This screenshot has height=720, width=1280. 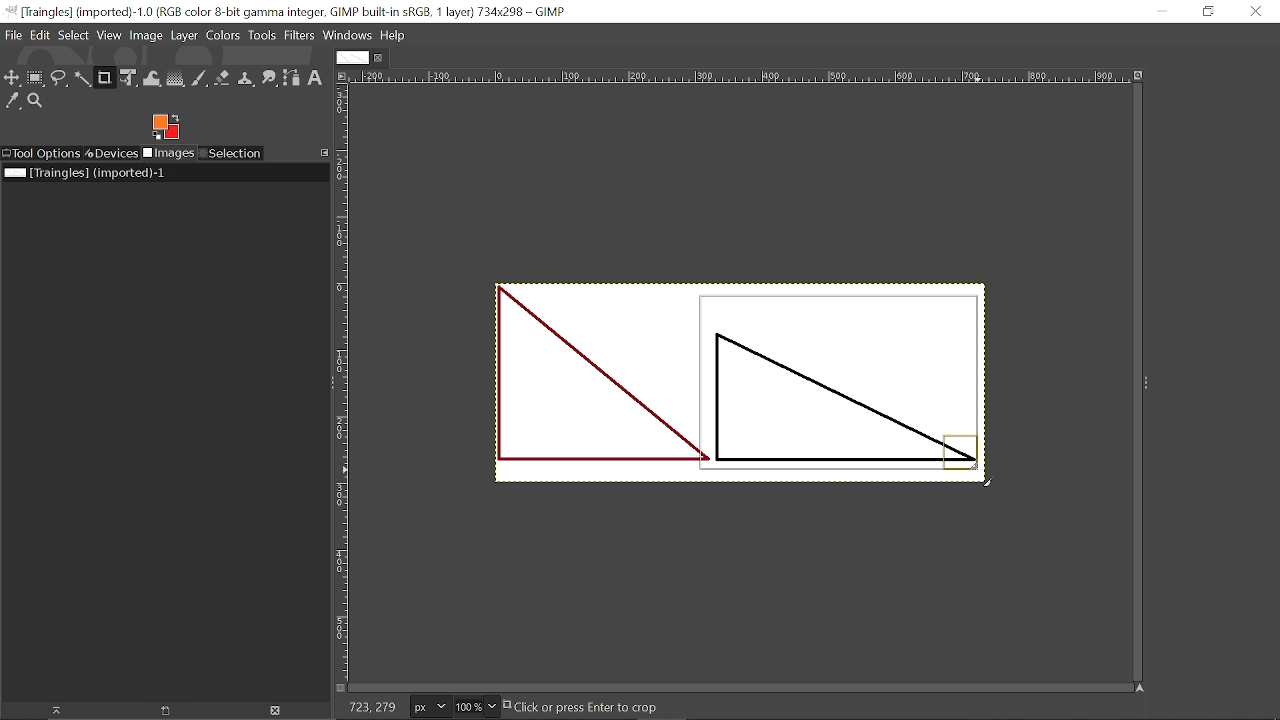 I want to click on click or press enter to crop, so click(x=607, y=707).